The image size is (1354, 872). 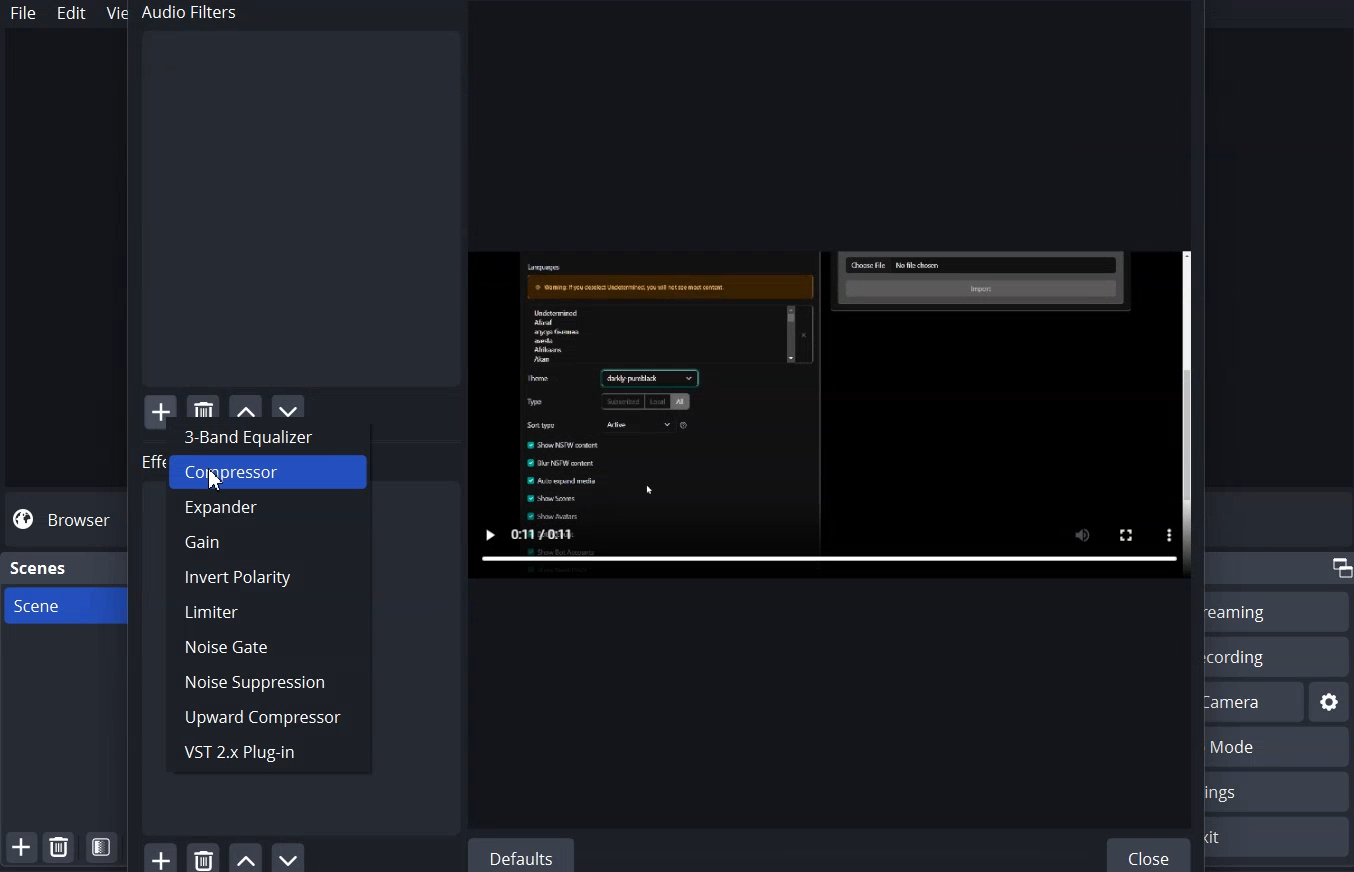 What do you see at coordinates (267, 473) in the screenshot?
I see `Compressor` at bounding box center [267, 473].